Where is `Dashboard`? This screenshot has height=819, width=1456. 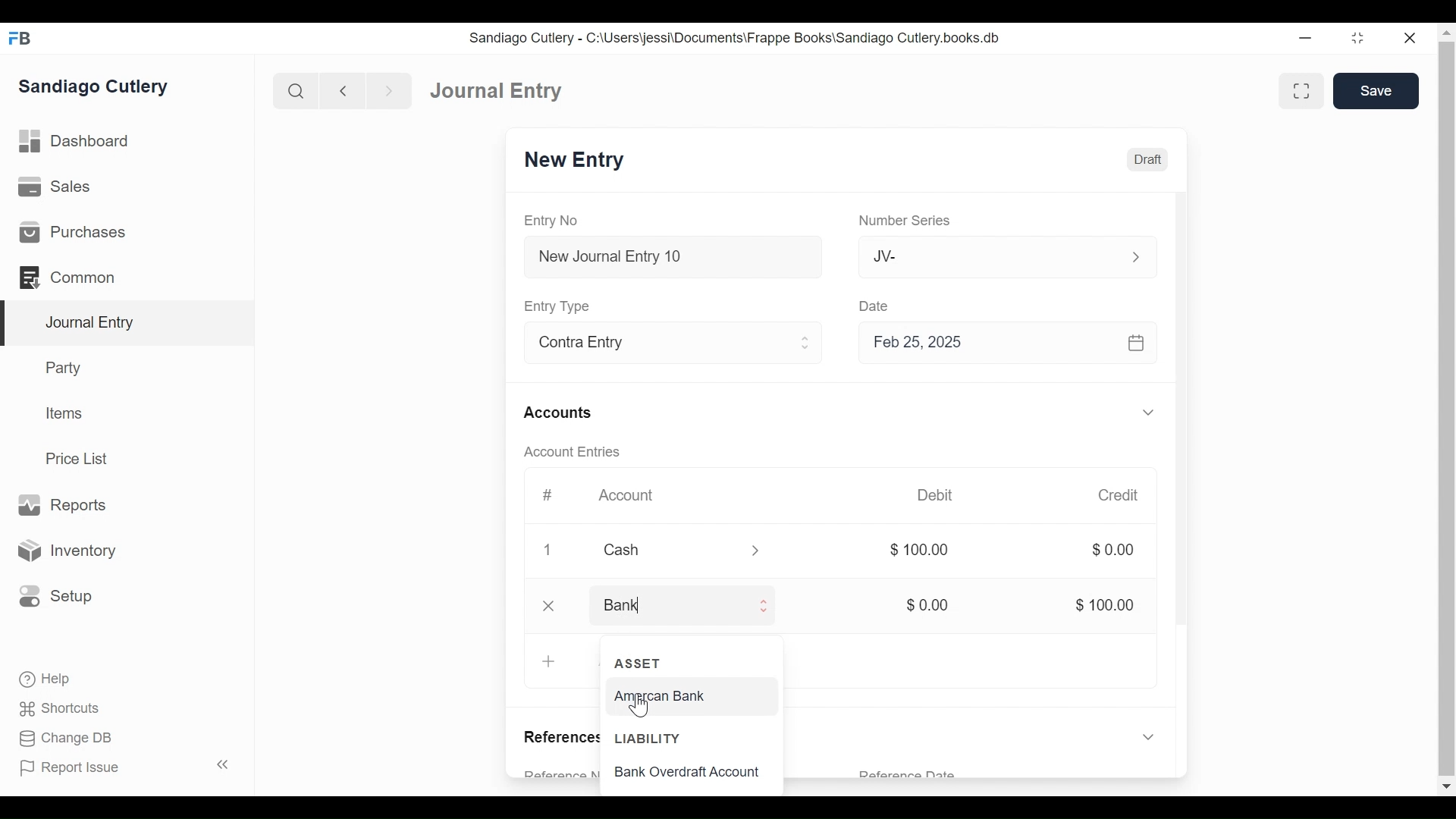
Dashboard is located at coordinates (80, 143).